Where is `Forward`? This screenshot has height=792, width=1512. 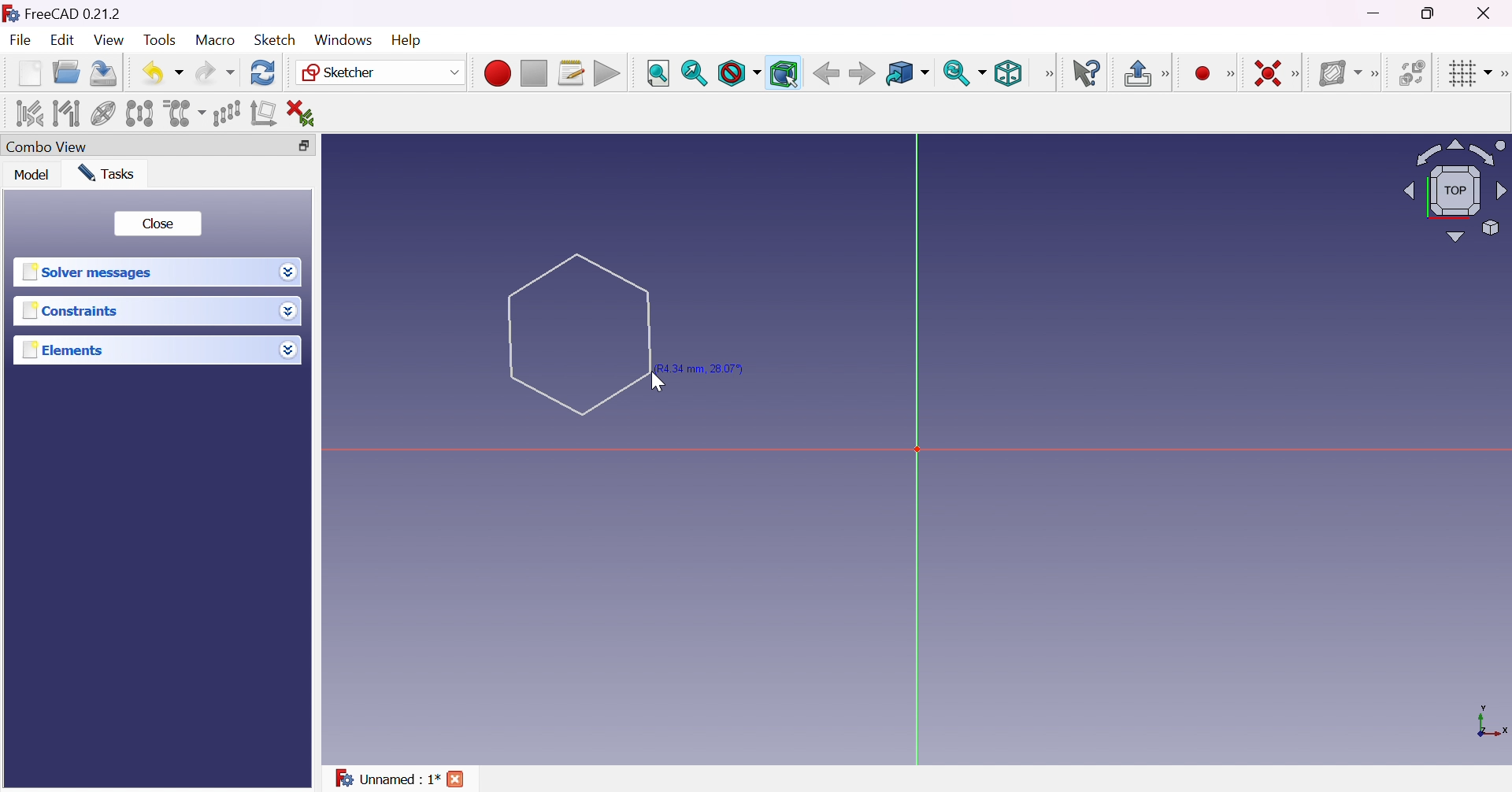 Forward is located at coordinates (863, 72).